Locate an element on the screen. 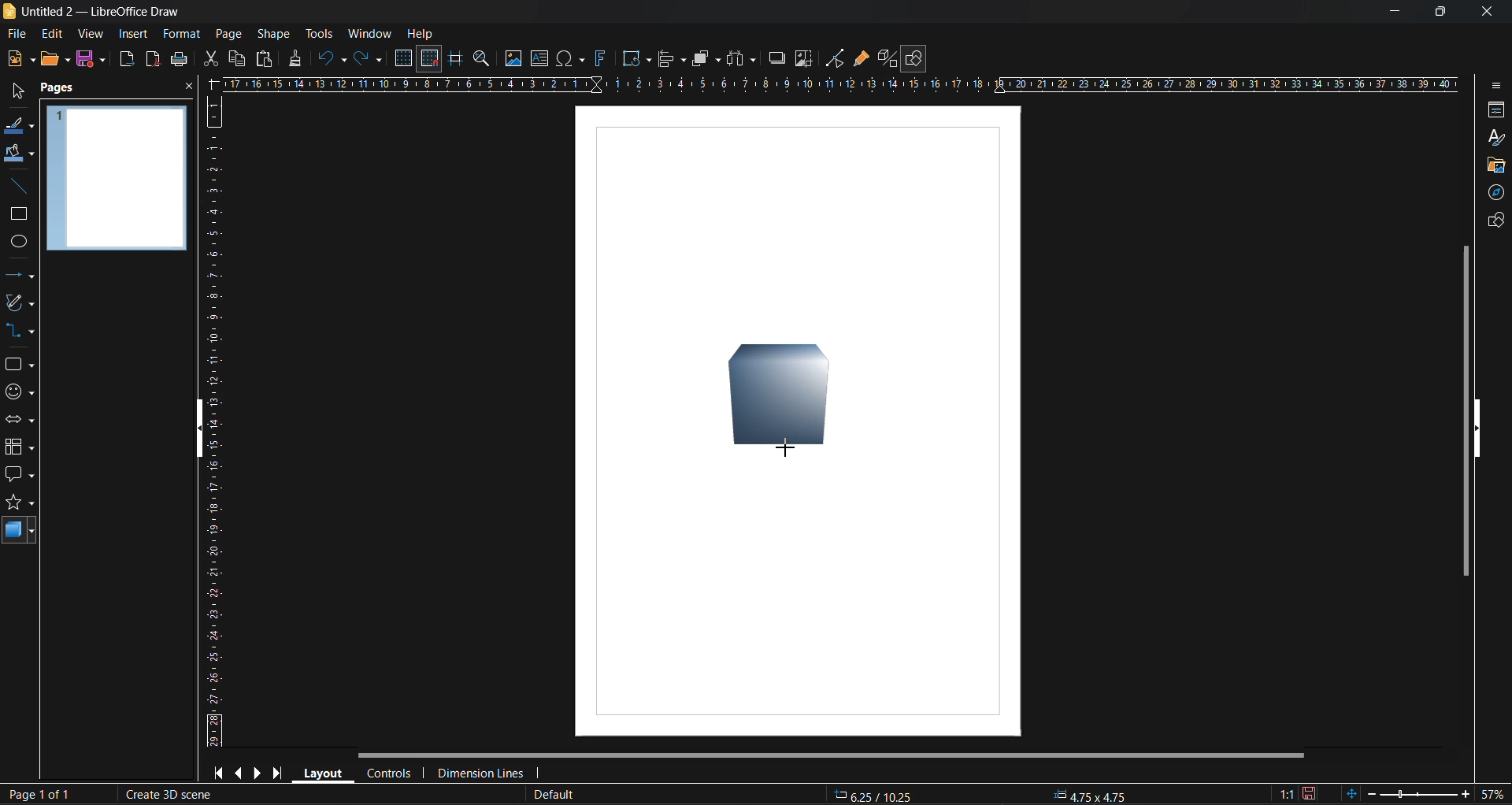  close is located at coordinates (1484, 9).